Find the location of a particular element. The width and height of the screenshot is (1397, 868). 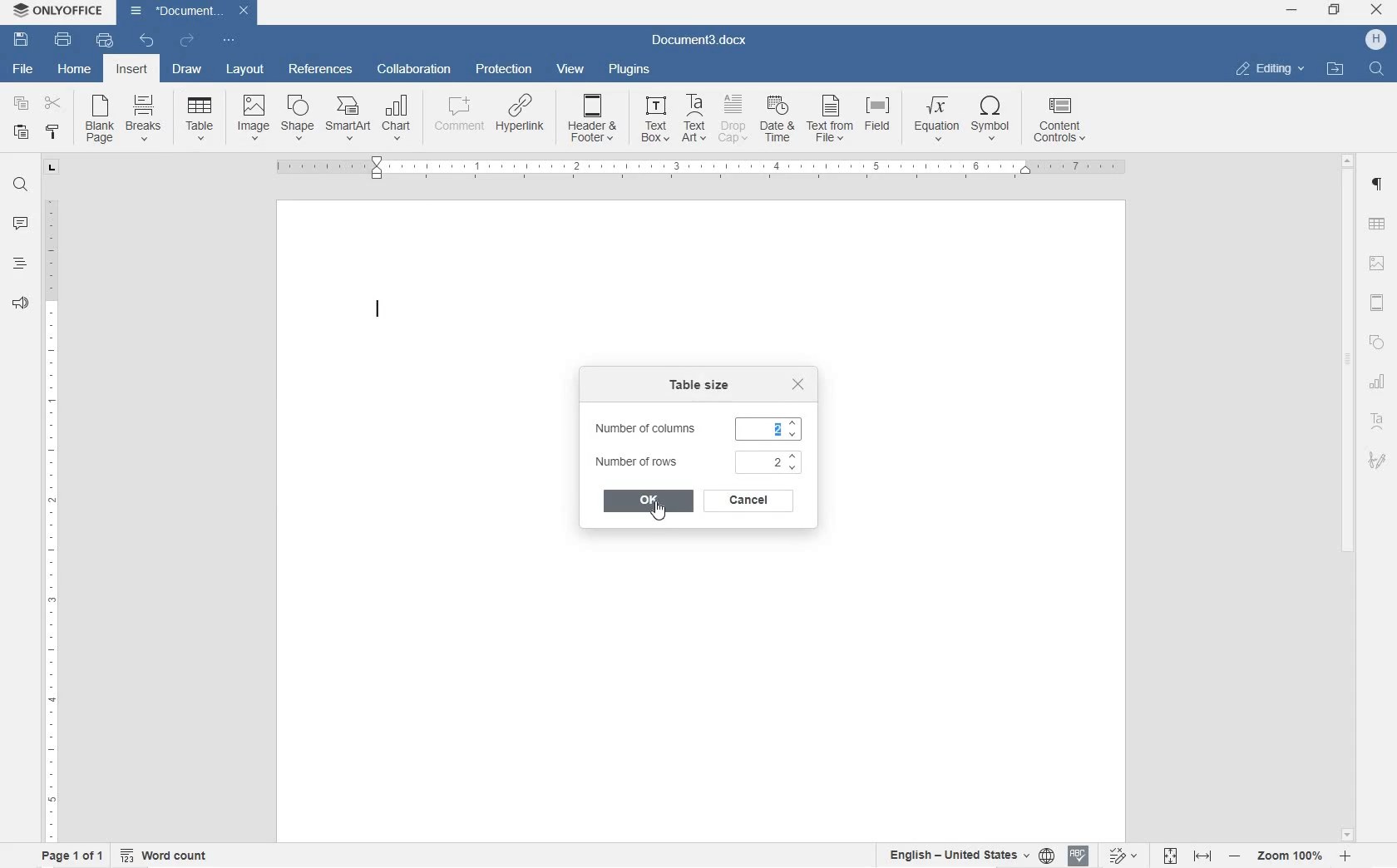

Equation is located at coordinates (936, 117).